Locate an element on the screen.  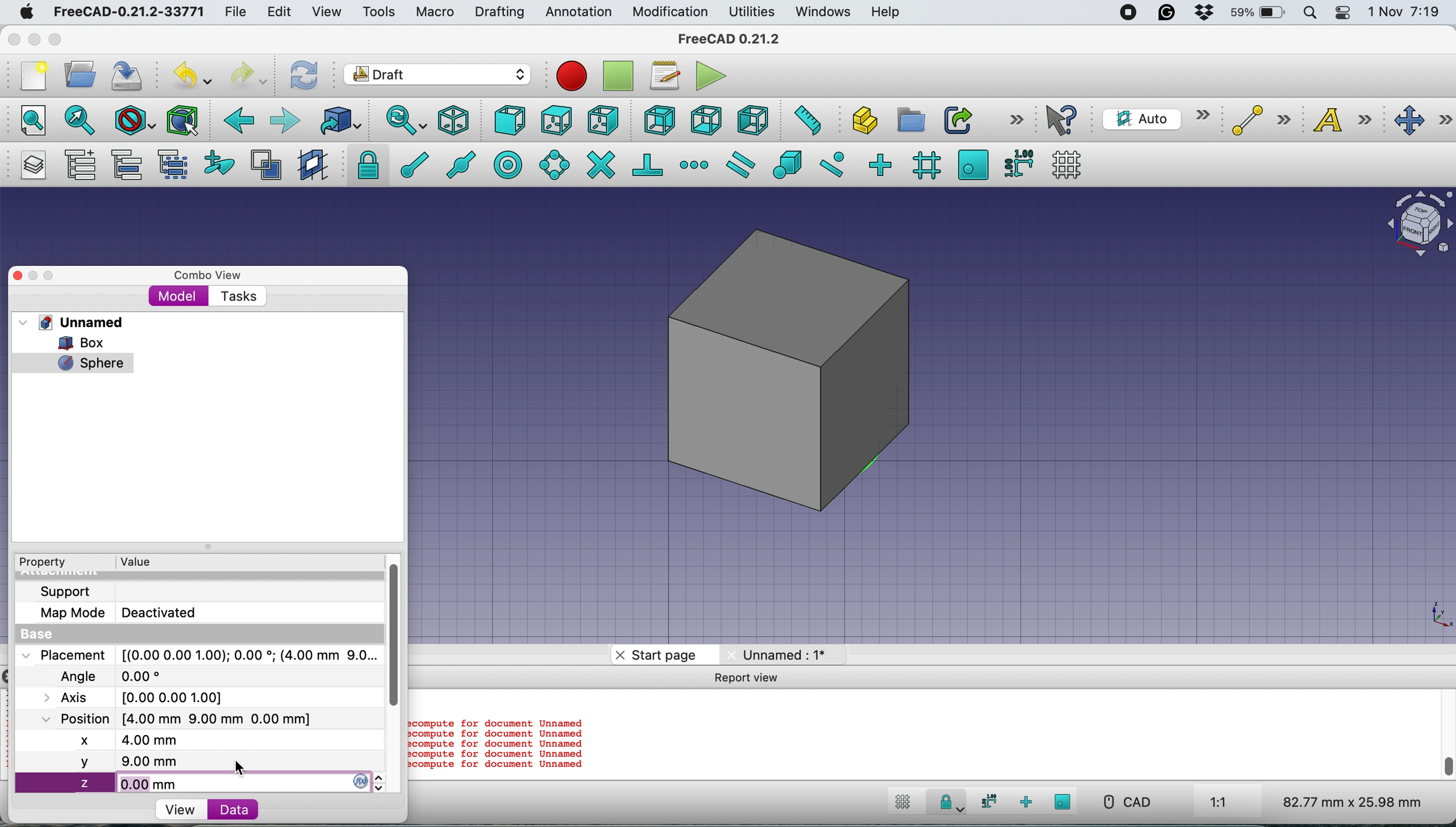
dimensions is located at coordinates (1349, 801).